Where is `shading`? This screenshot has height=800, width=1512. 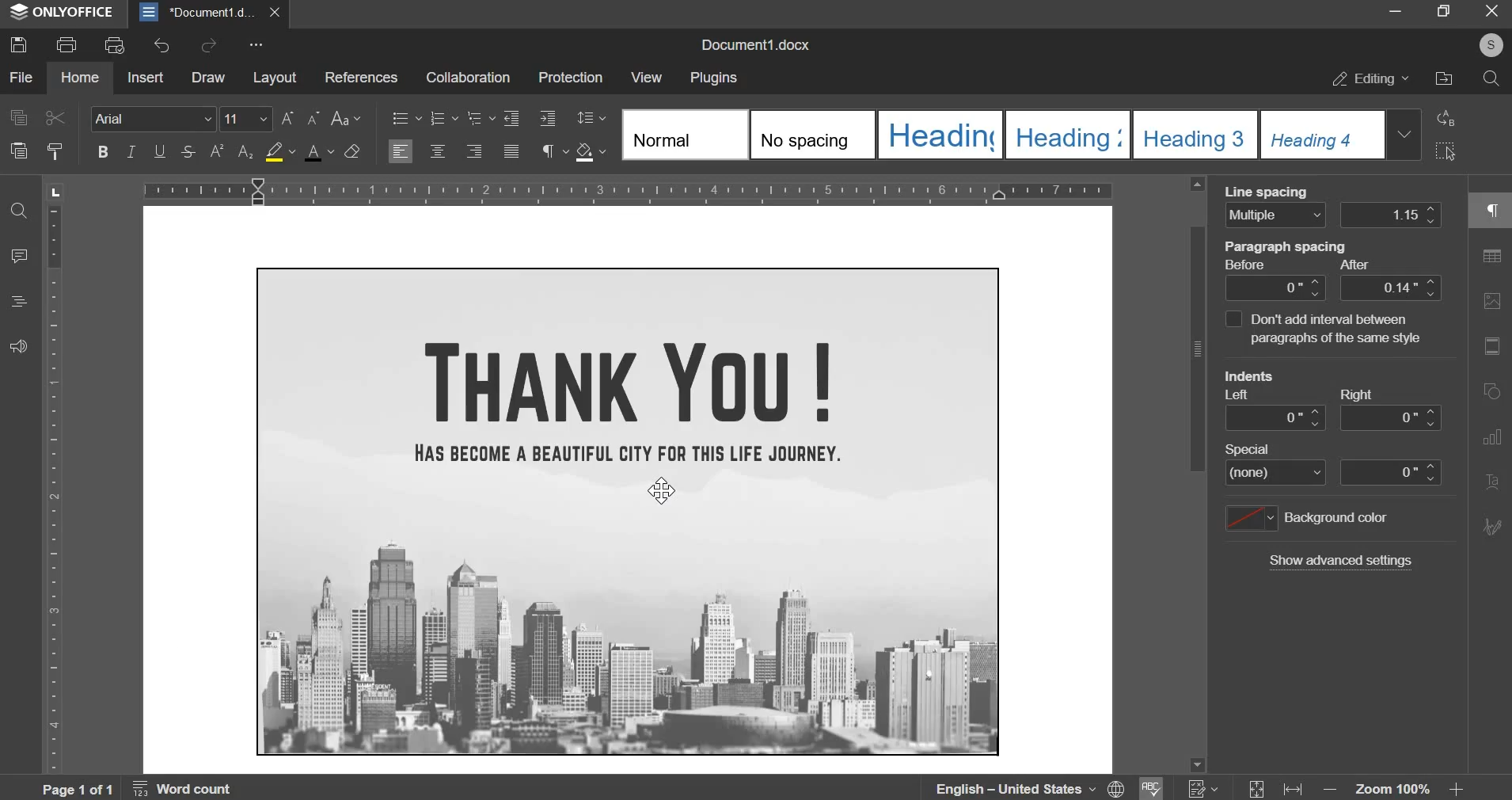 shading is located at coordinates (591, 152).